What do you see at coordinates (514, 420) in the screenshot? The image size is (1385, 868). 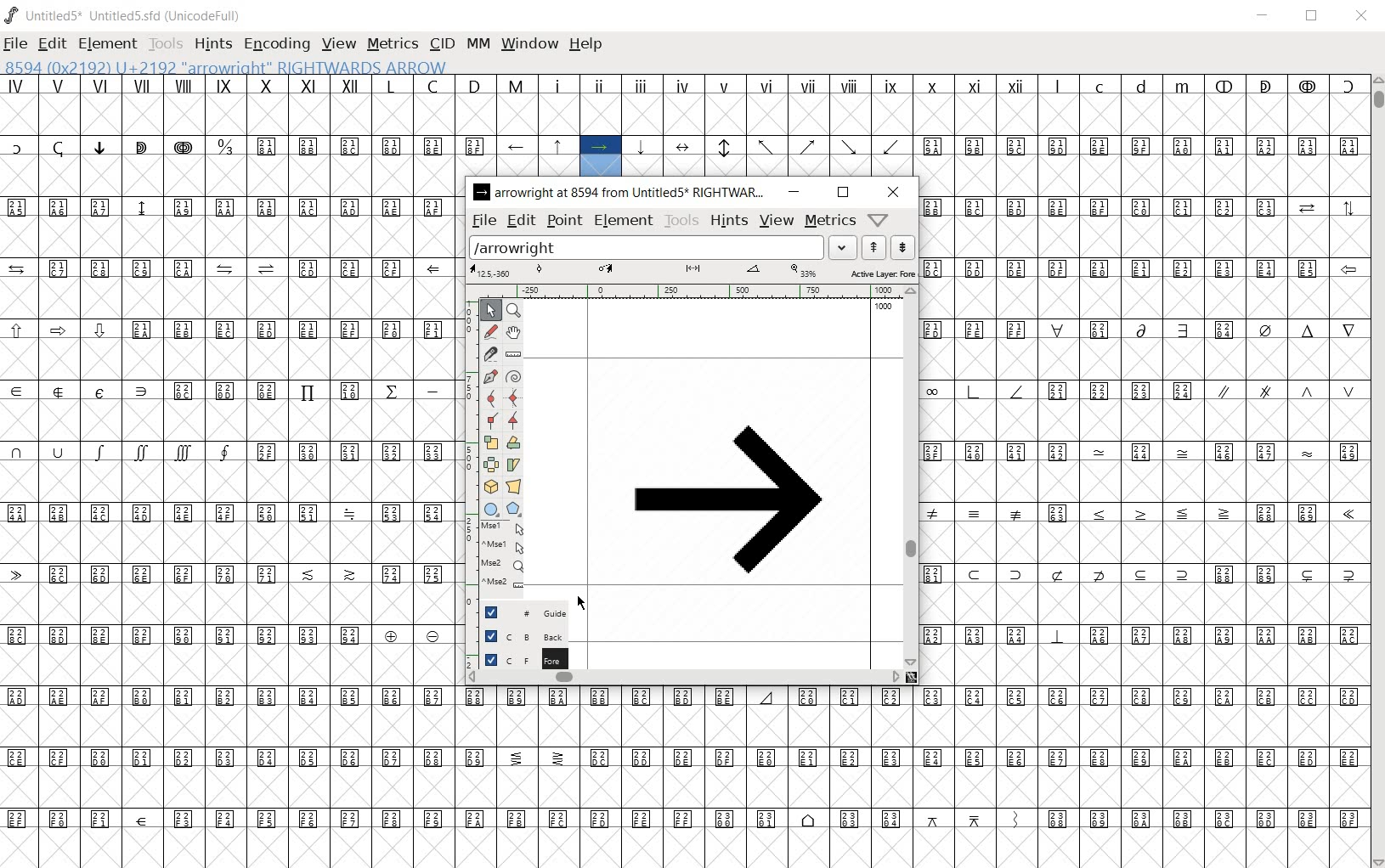 I see `Add a corner point` at bounding box center [514, 420].